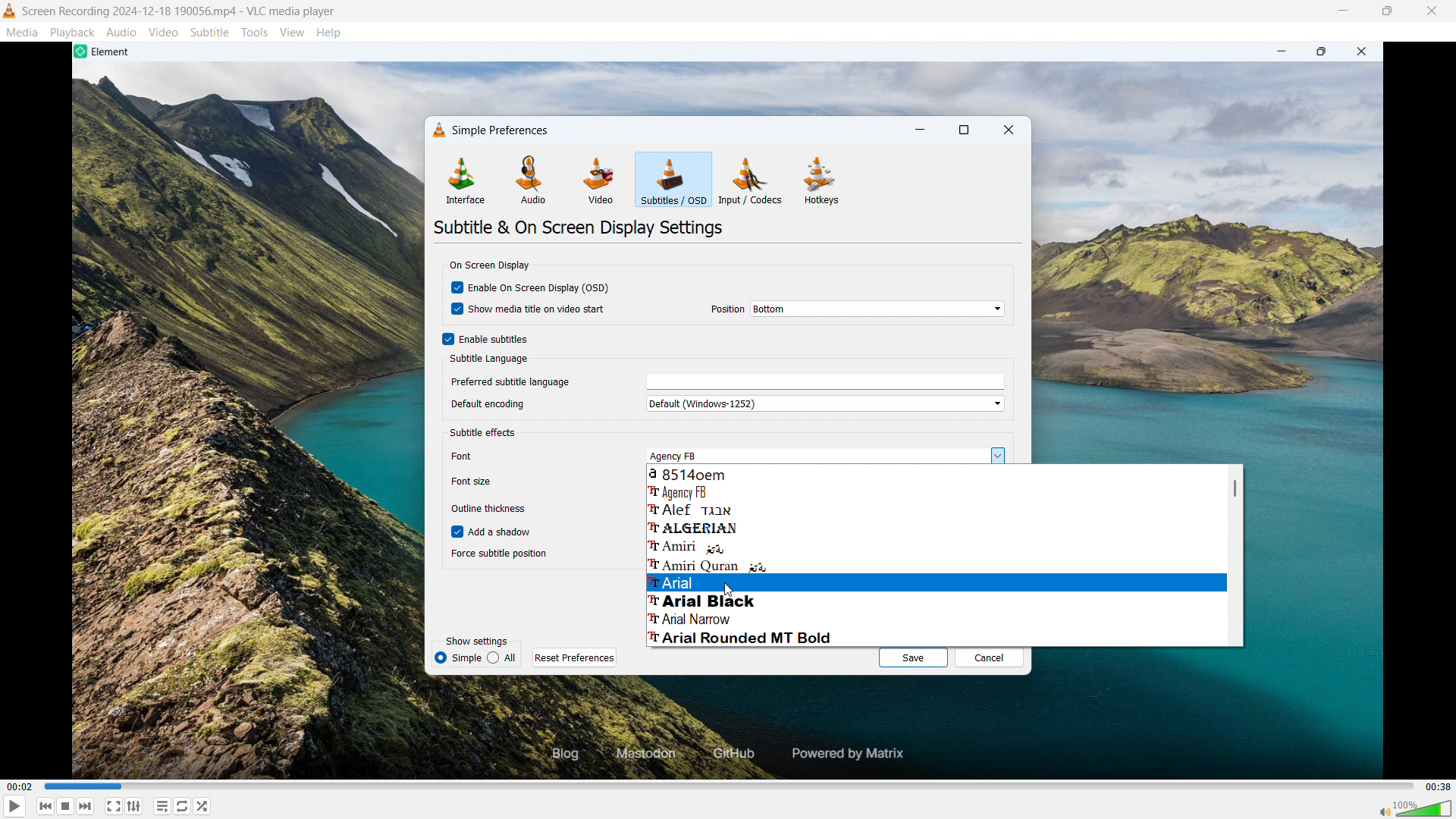 The width and height of the screenshot is (1456, 819). What do you see at coordinates (487, 510) in the screenshot?
I see `Outline thickness` at bounding box center [487, 510].